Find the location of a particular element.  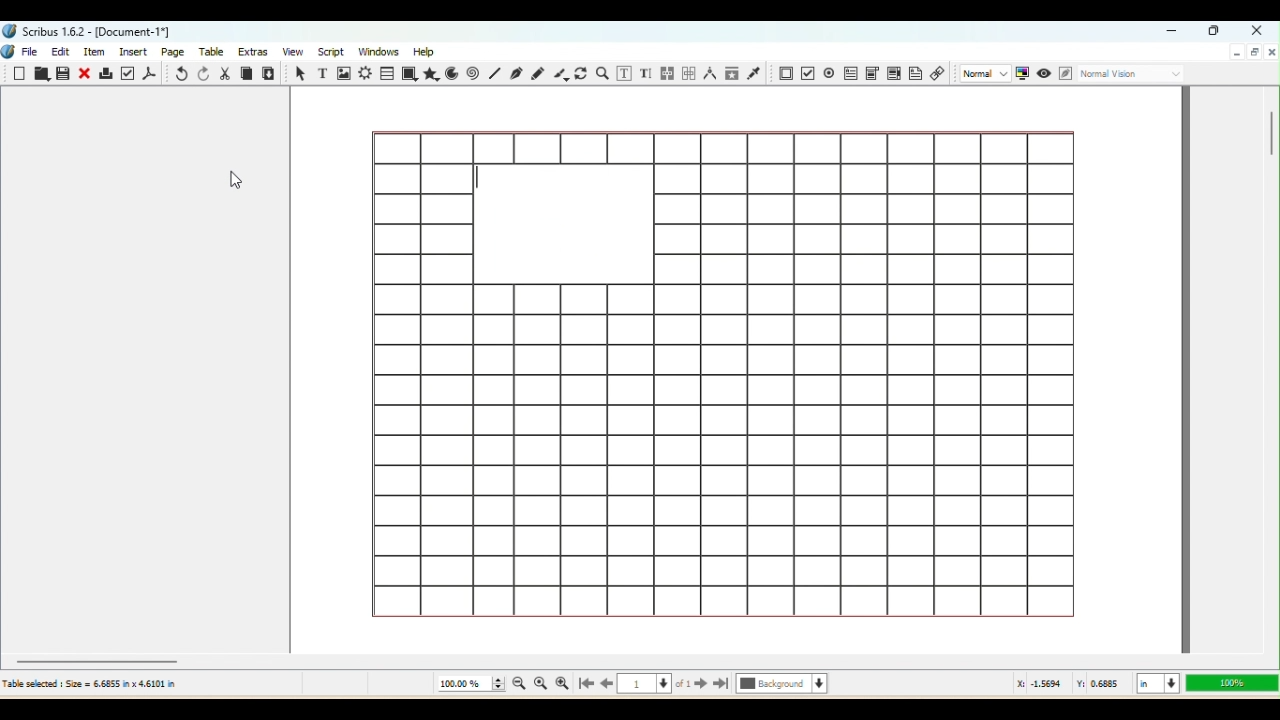

Maximize is located at coordinates (1254, 53).